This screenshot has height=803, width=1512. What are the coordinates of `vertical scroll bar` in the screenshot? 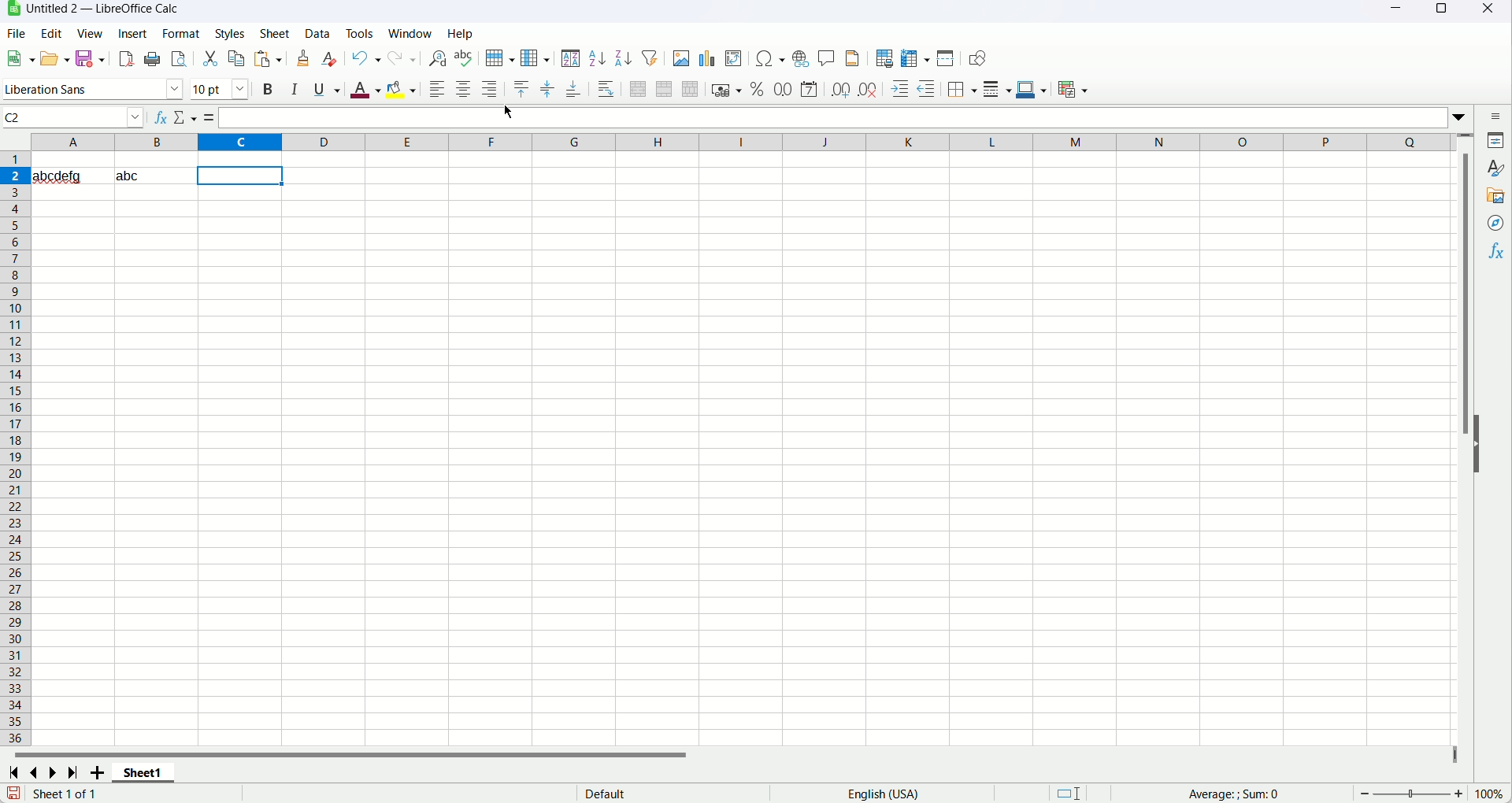 It's located at (1469, 445).